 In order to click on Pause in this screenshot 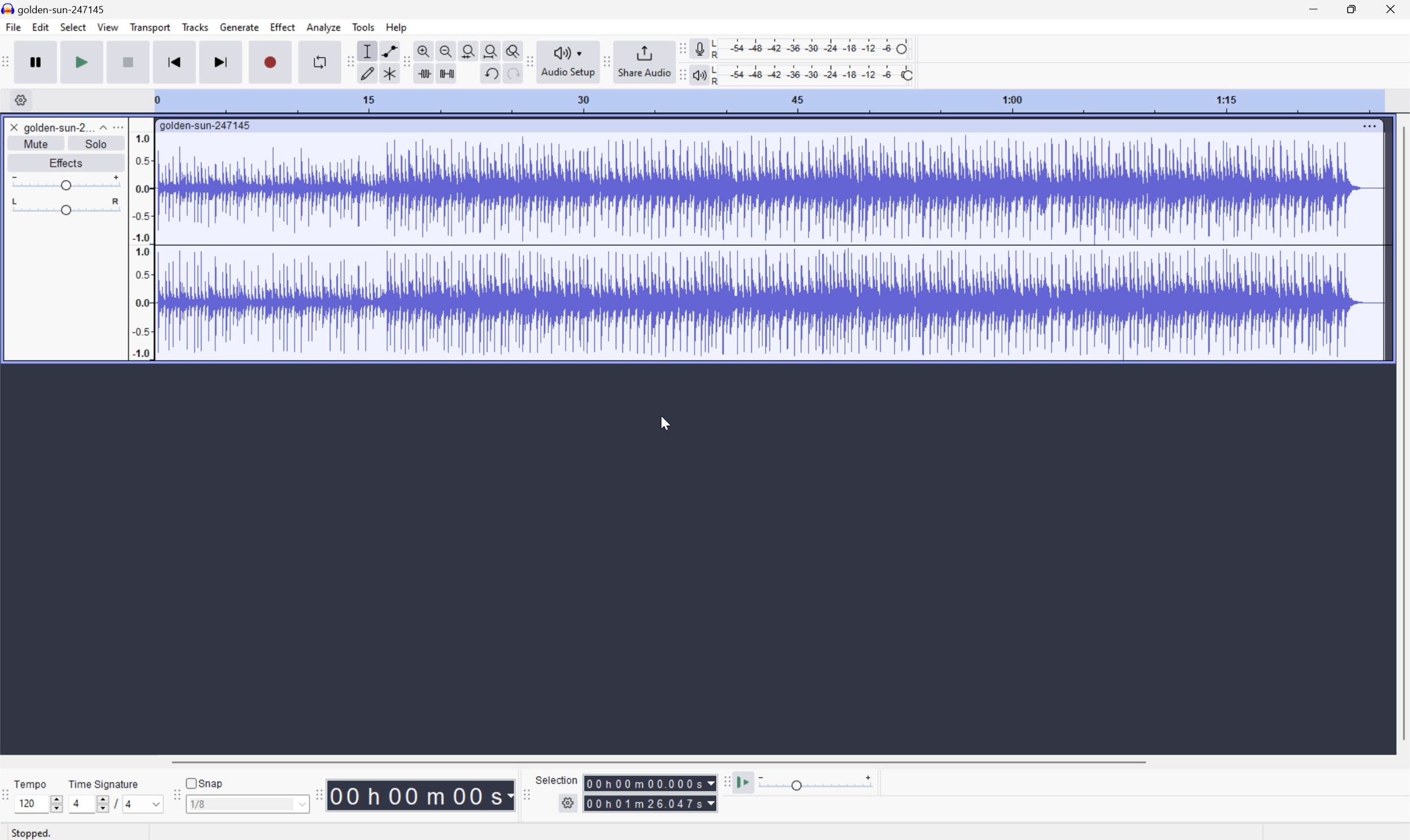, I will do `click(38, 61)`.